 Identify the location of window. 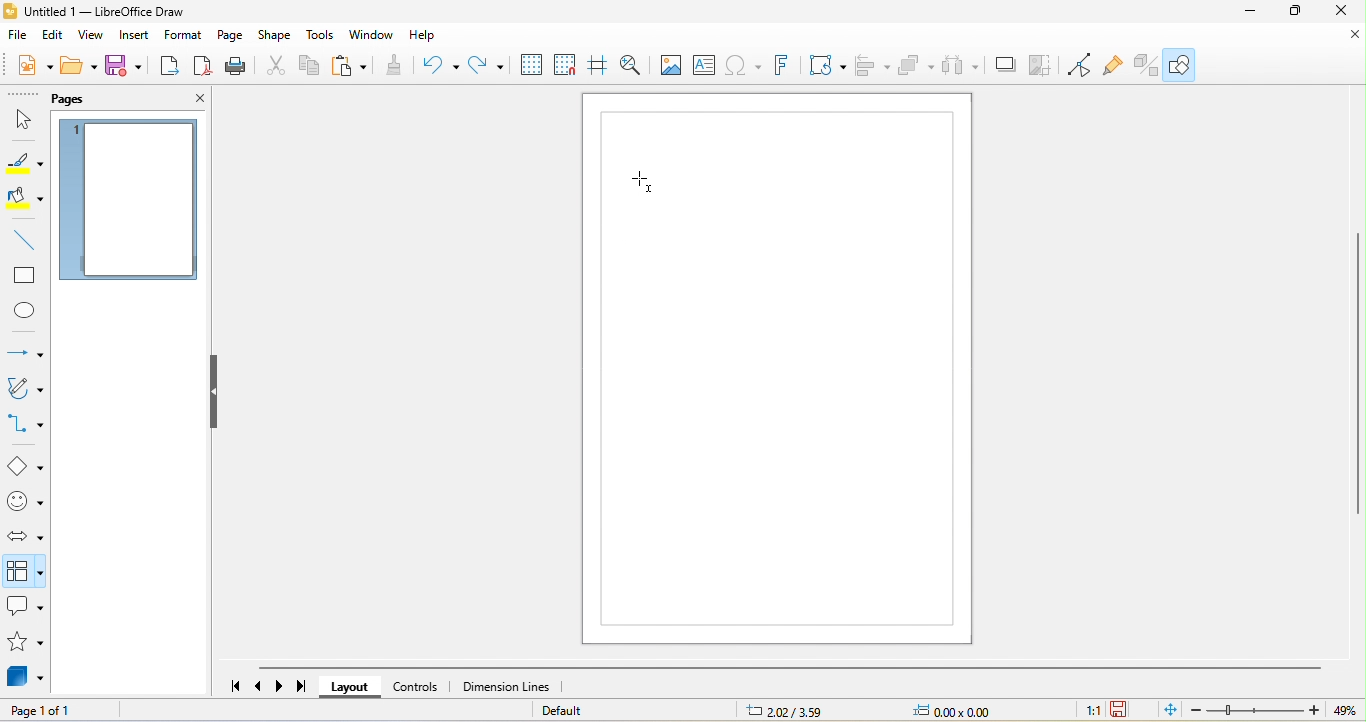
(373, 38).